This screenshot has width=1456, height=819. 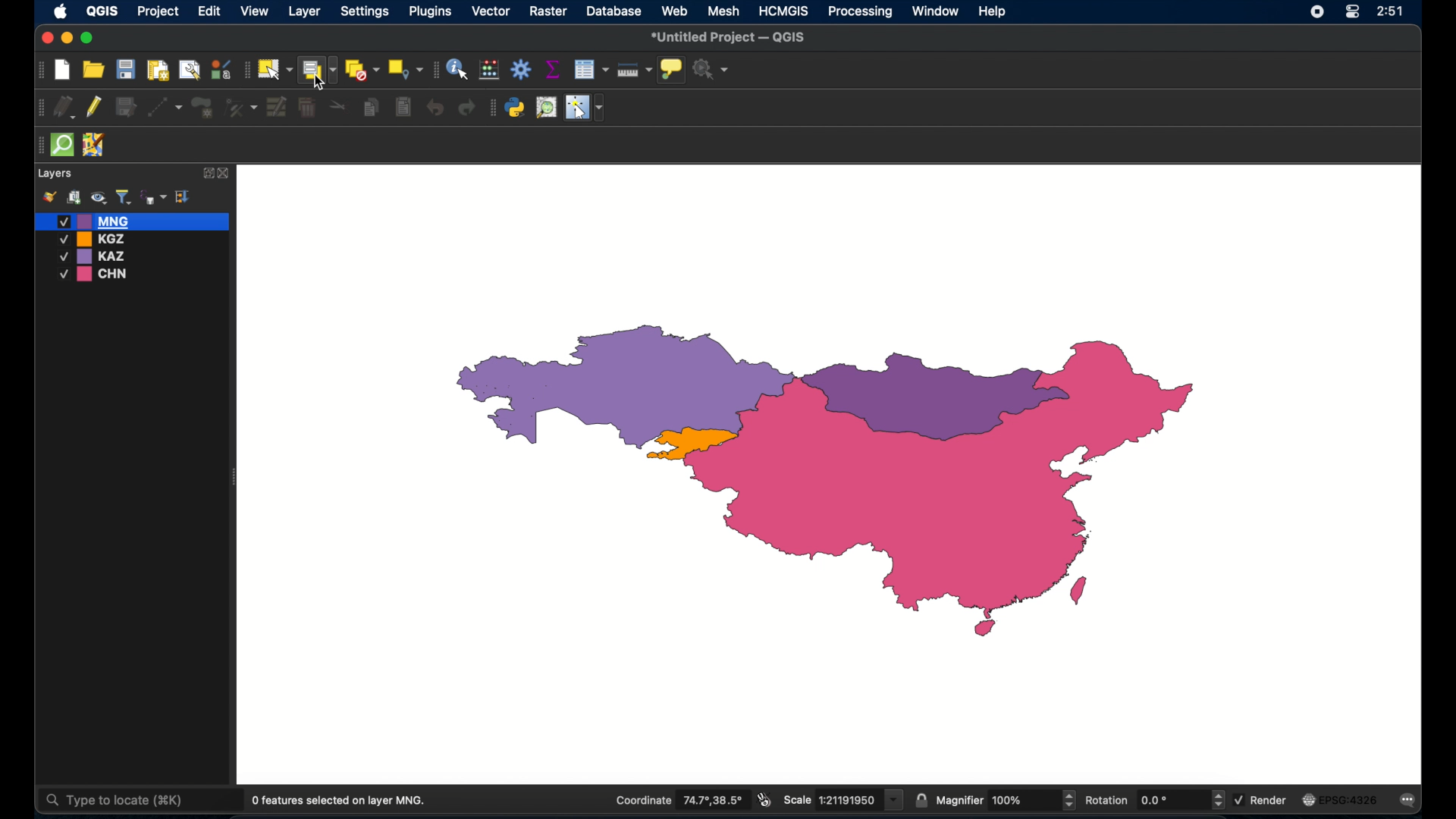 I want to click on help, so click(x=994, y=13).